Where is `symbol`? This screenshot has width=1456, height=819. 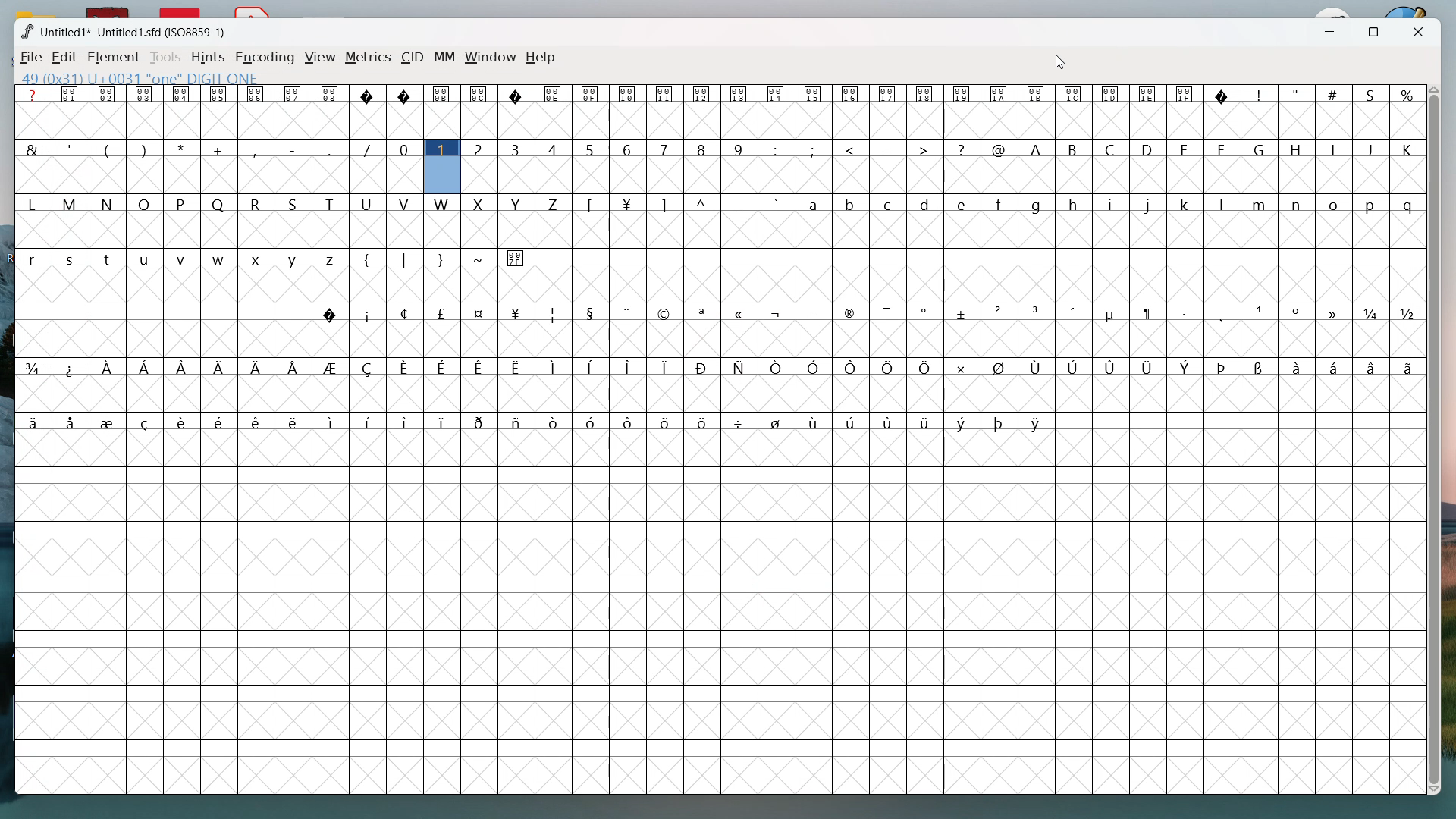 symbol is located at coordinates (591, 312).